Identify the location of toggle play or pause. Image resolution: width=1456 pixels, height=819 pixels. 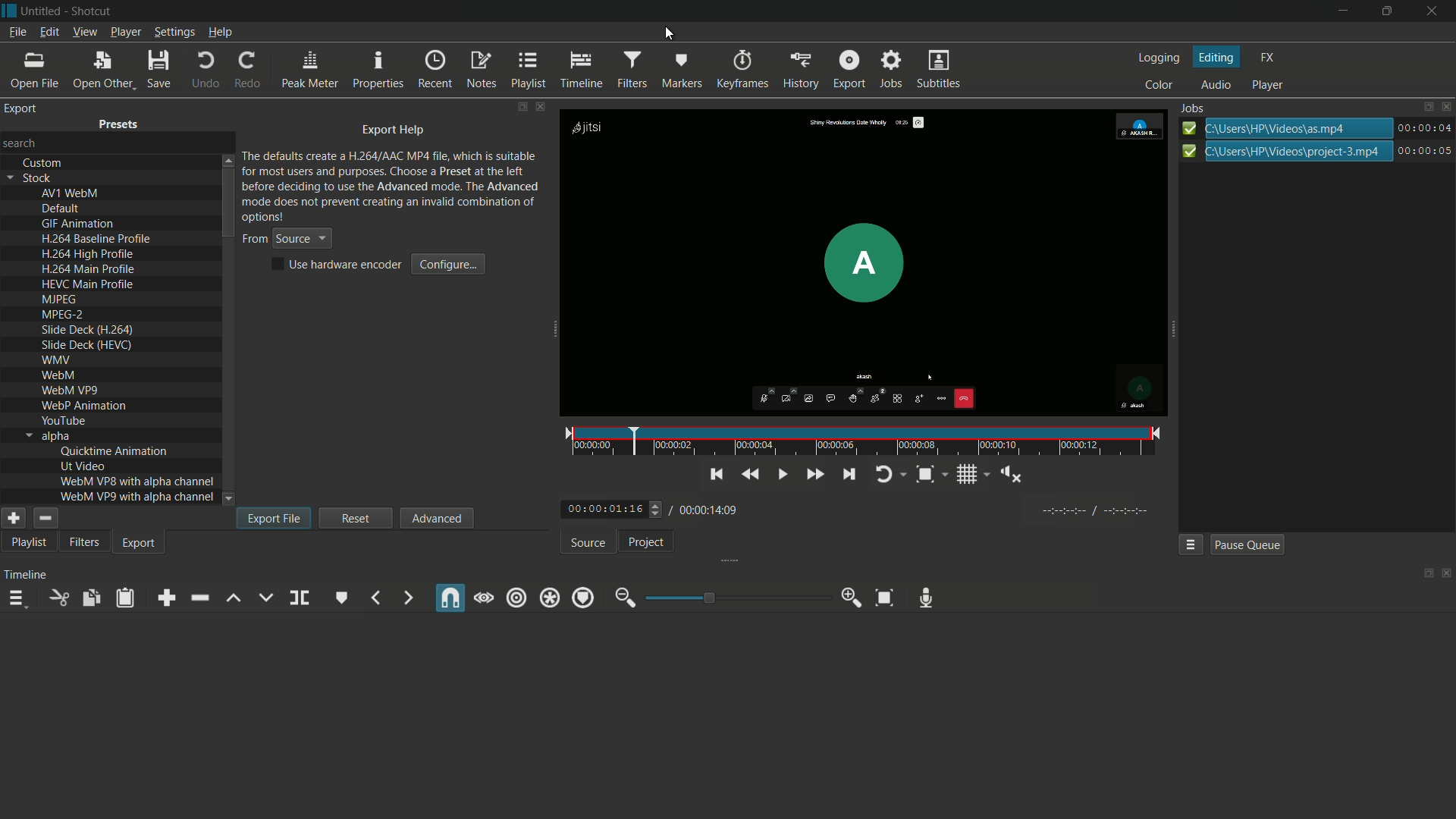
(783, 472).